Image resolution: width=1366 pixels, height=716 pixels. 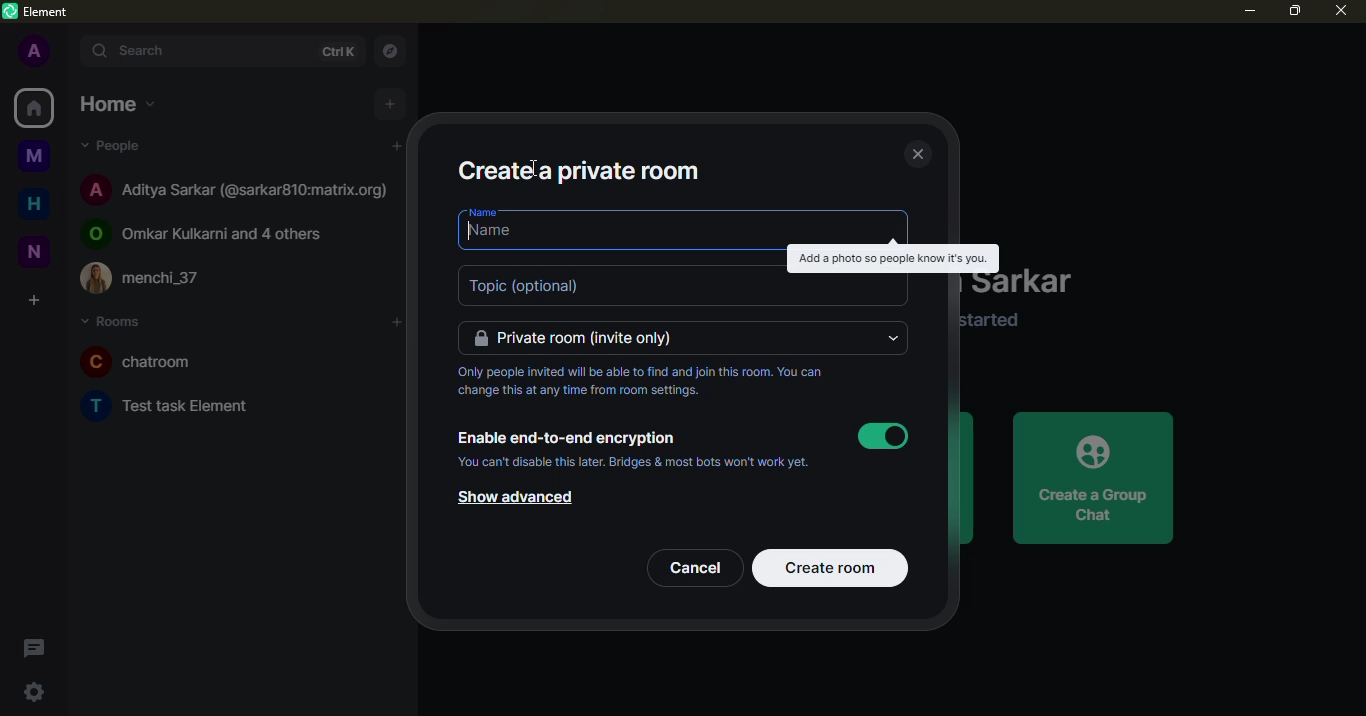 I want to click on name, so click(x=483, y=213).